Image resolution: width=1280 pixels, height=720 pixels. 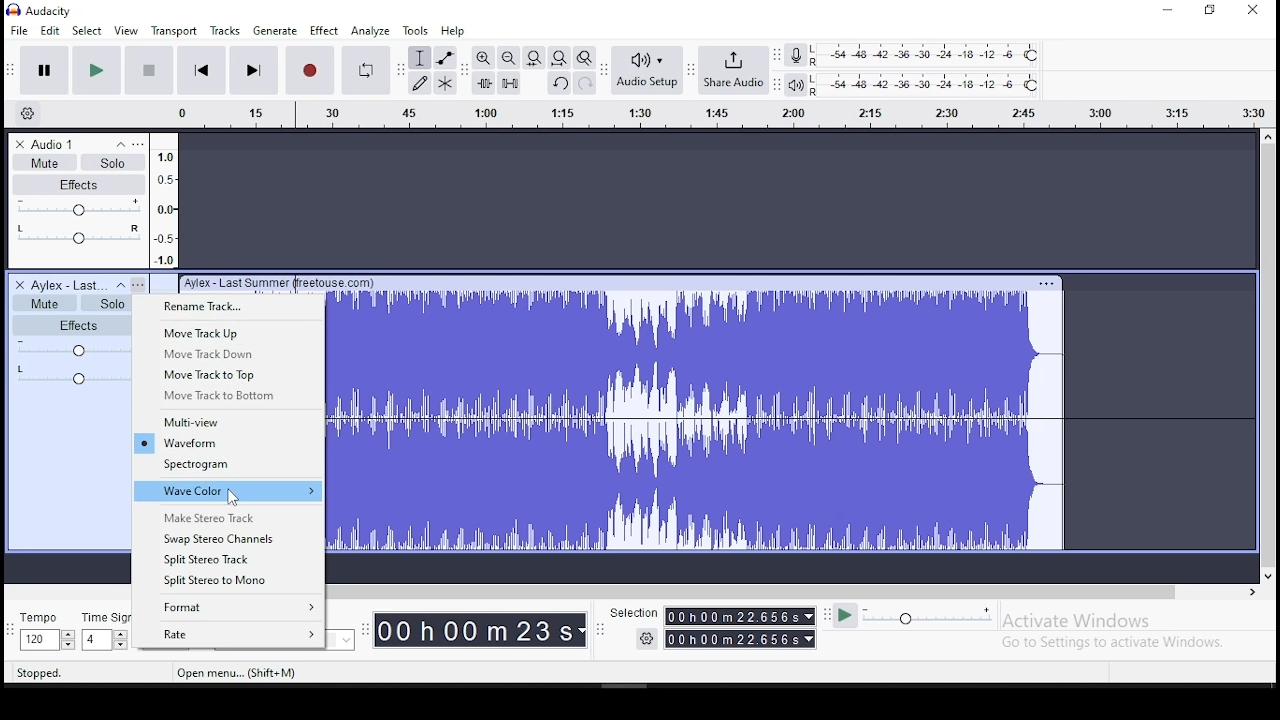 What do you see at coordinates (509, 82) in the screenshot?
I see `silence audio selection` at bounding box center [509, 82].